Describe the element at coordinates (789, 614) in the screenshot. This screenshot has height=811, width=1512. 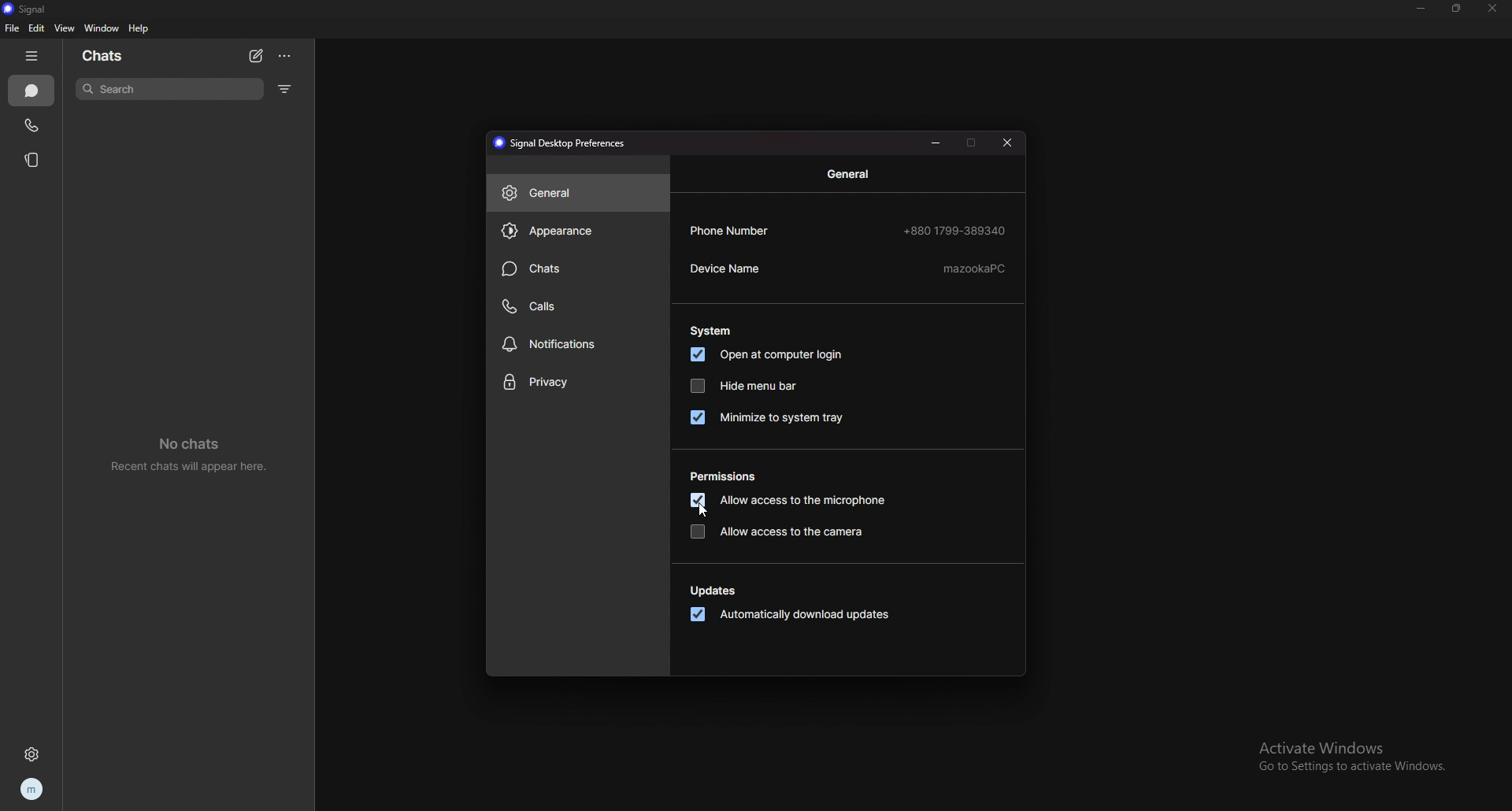
I see `automatically download updates` at that location.